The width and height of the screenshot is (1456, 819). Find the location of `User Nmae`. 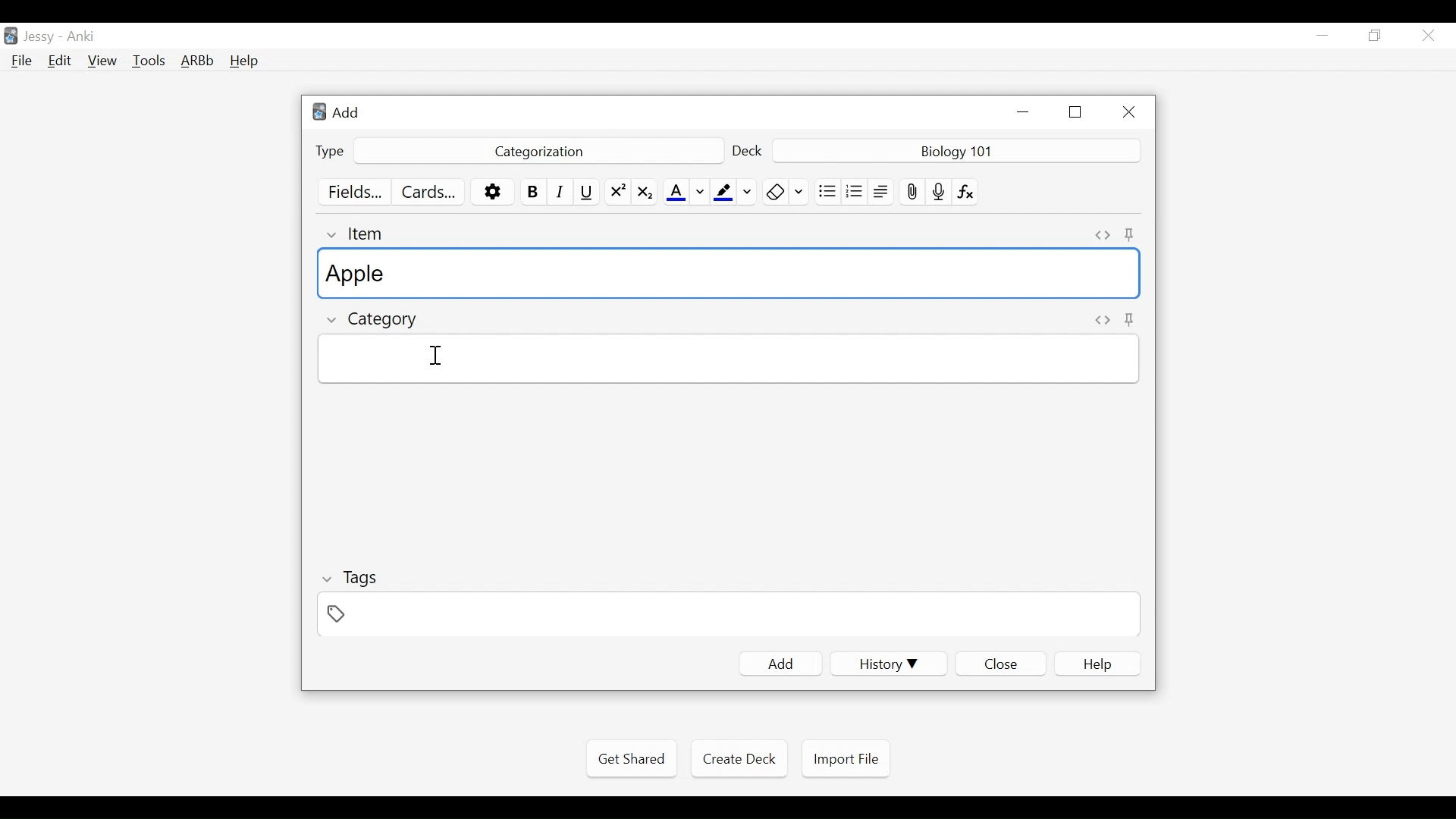

User Nmae is located at coordinates (42, 37).